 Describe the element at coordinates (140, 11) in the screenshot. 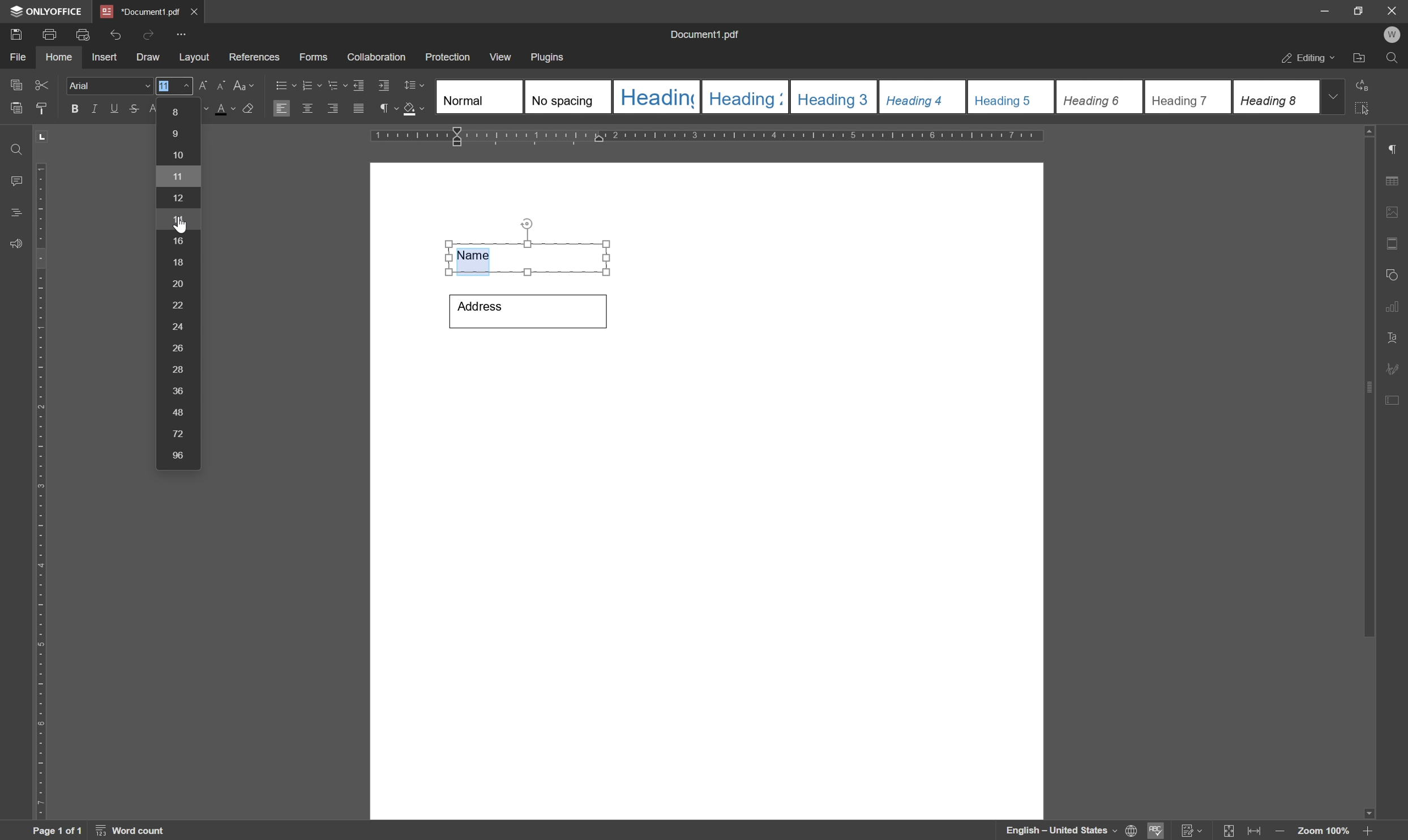

I see `*document1.pdf` at that location.